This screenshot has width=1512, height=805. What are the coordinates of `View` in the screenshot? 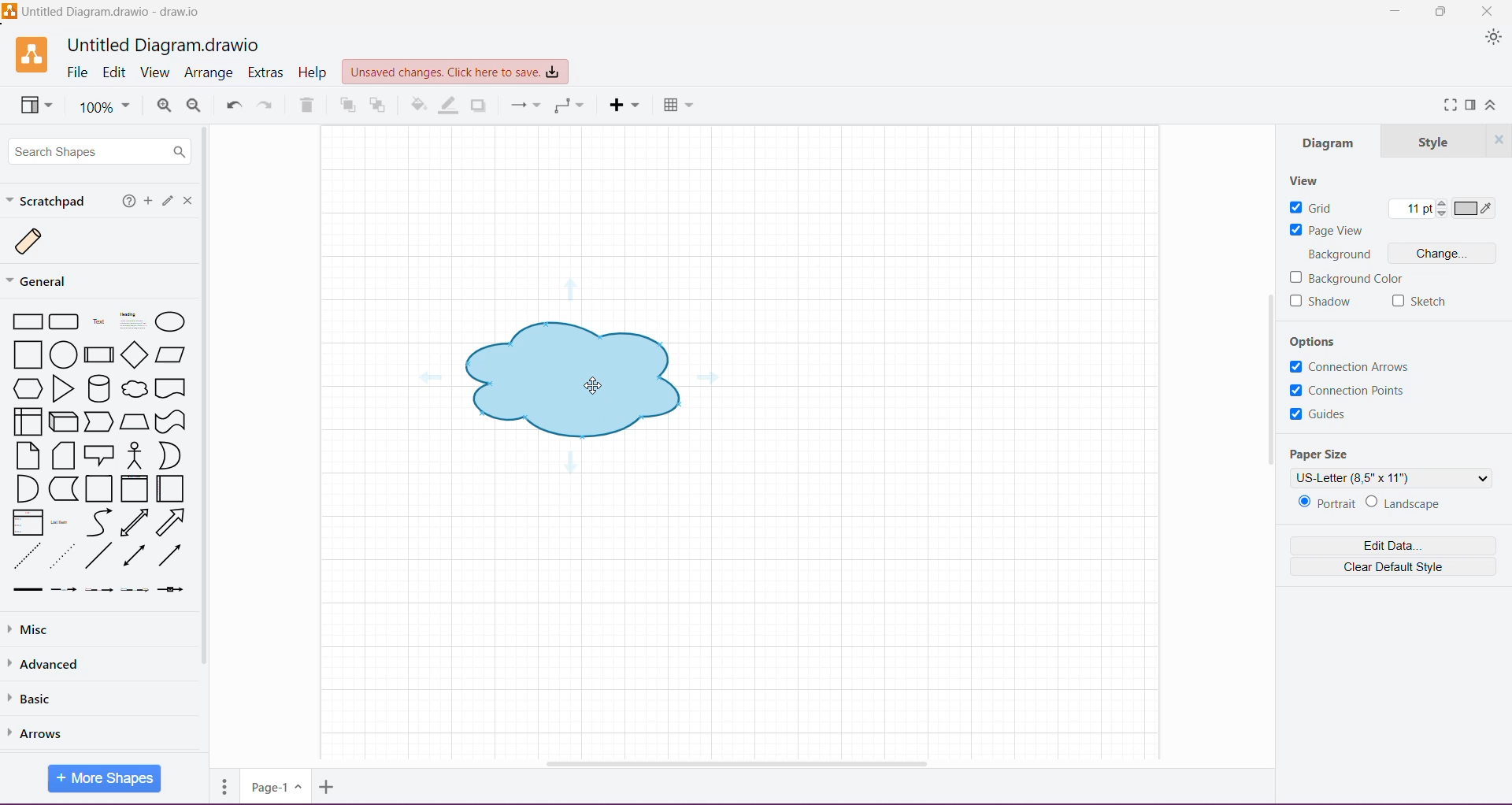 It's located at (39, 106).